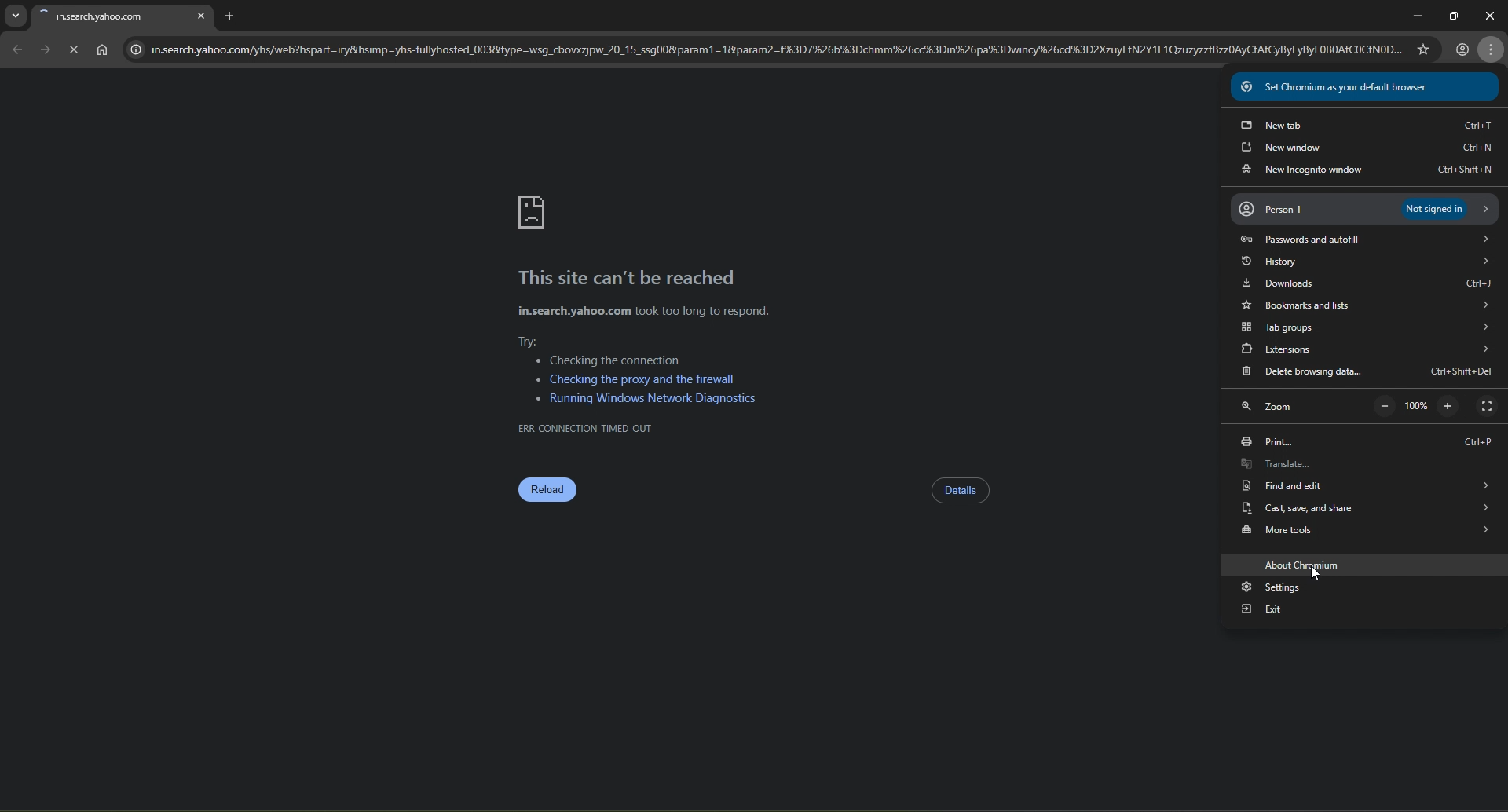  Describe the element at coordinates (1283, 407) in the screenshot. I see `zoom` at that location.